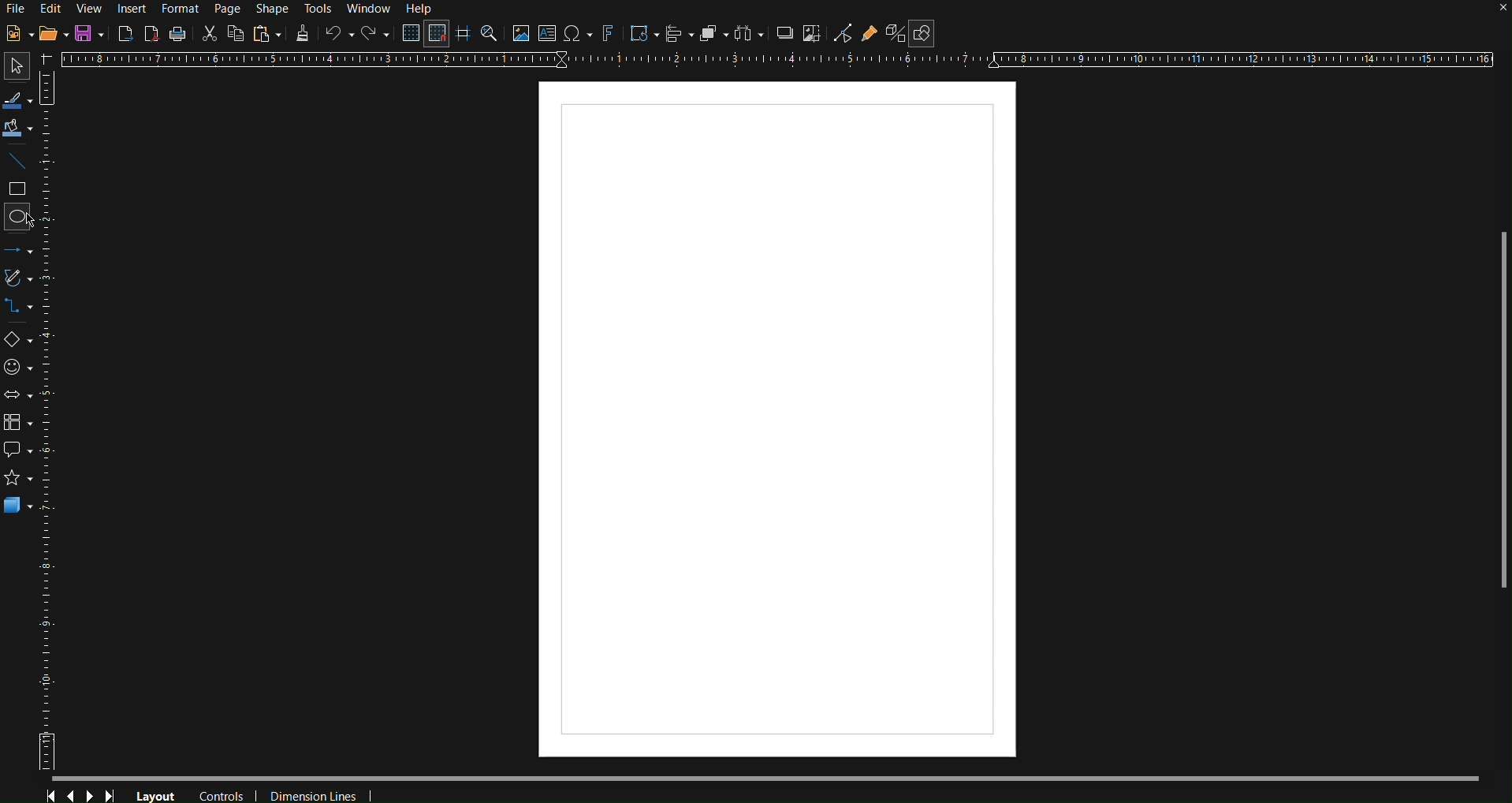  What do you see at coordinates (780, 777) in the screenshot?
I see `Scrollbar` at bounding box center [780, 777].